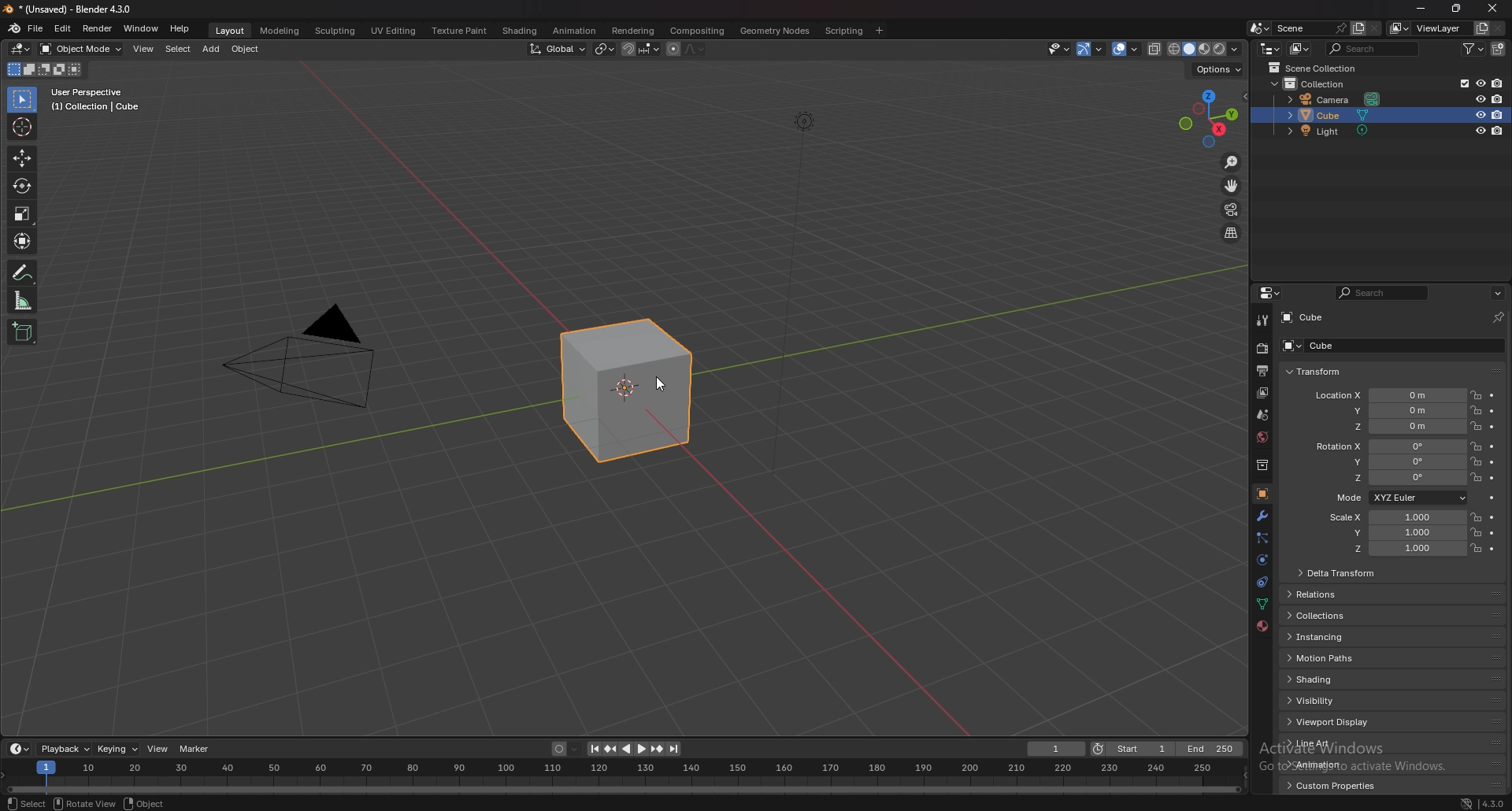 The image size is (1512, 811). Describe the element at coordinates (1492, 427) in the screenshot. I see `animate property` at that location.